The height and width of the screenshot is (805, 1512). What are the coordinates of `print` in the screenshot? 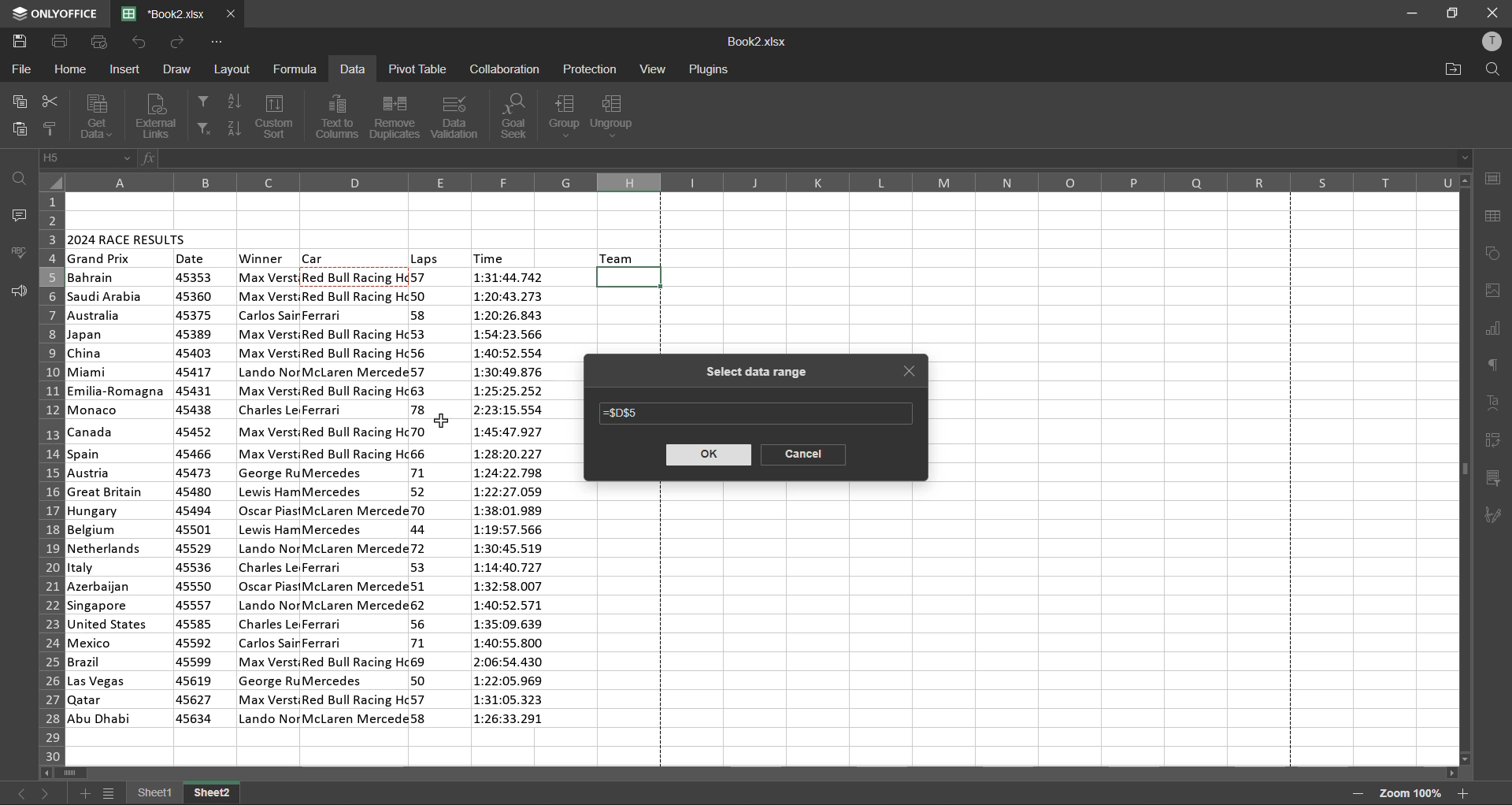 It's located at (61, 42).